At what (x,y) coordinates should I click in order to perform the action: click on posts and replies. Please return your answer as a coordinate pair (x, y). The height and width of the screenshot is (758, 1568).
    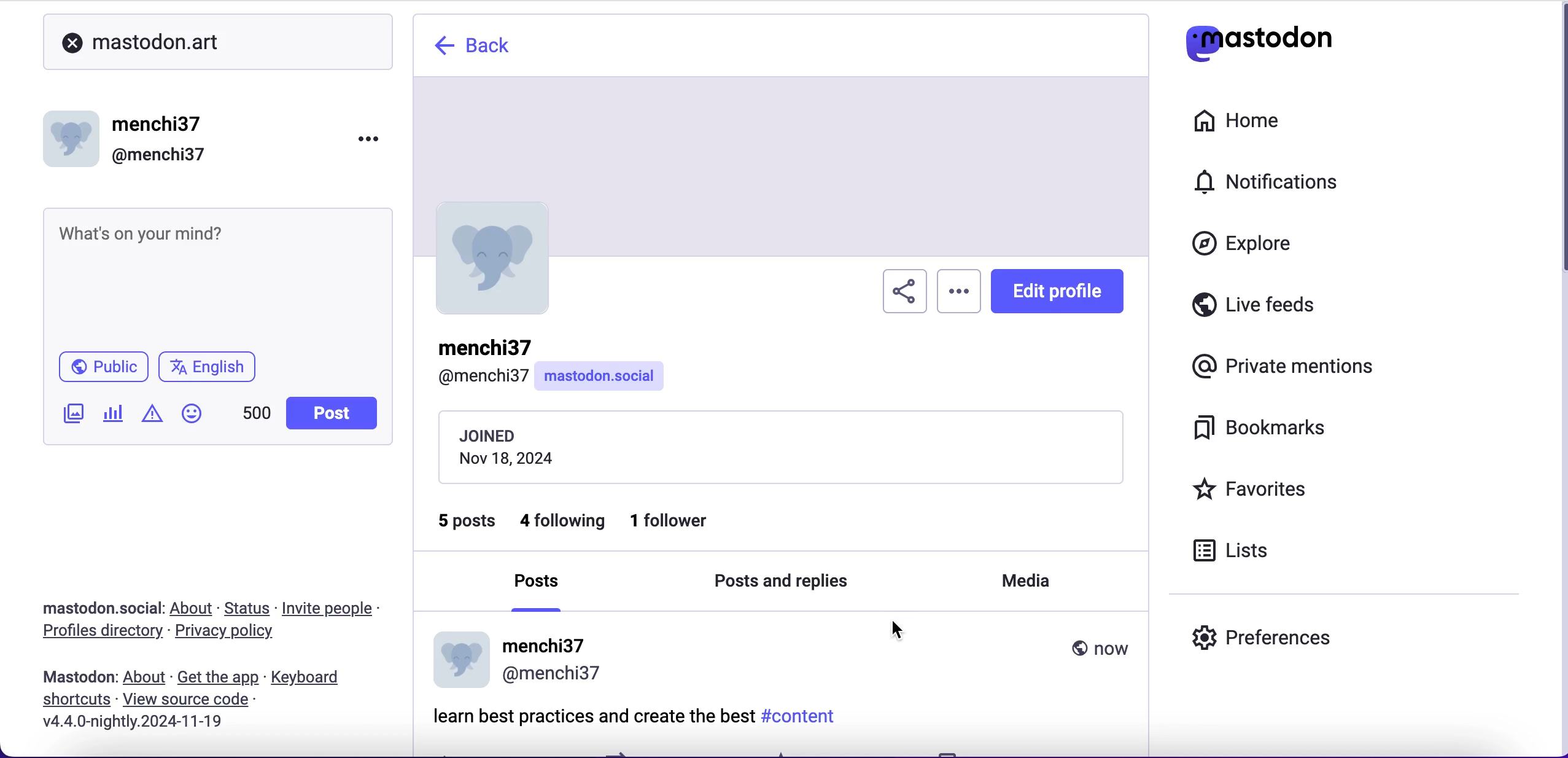
    Looking at the image, I should click on (801, 582).